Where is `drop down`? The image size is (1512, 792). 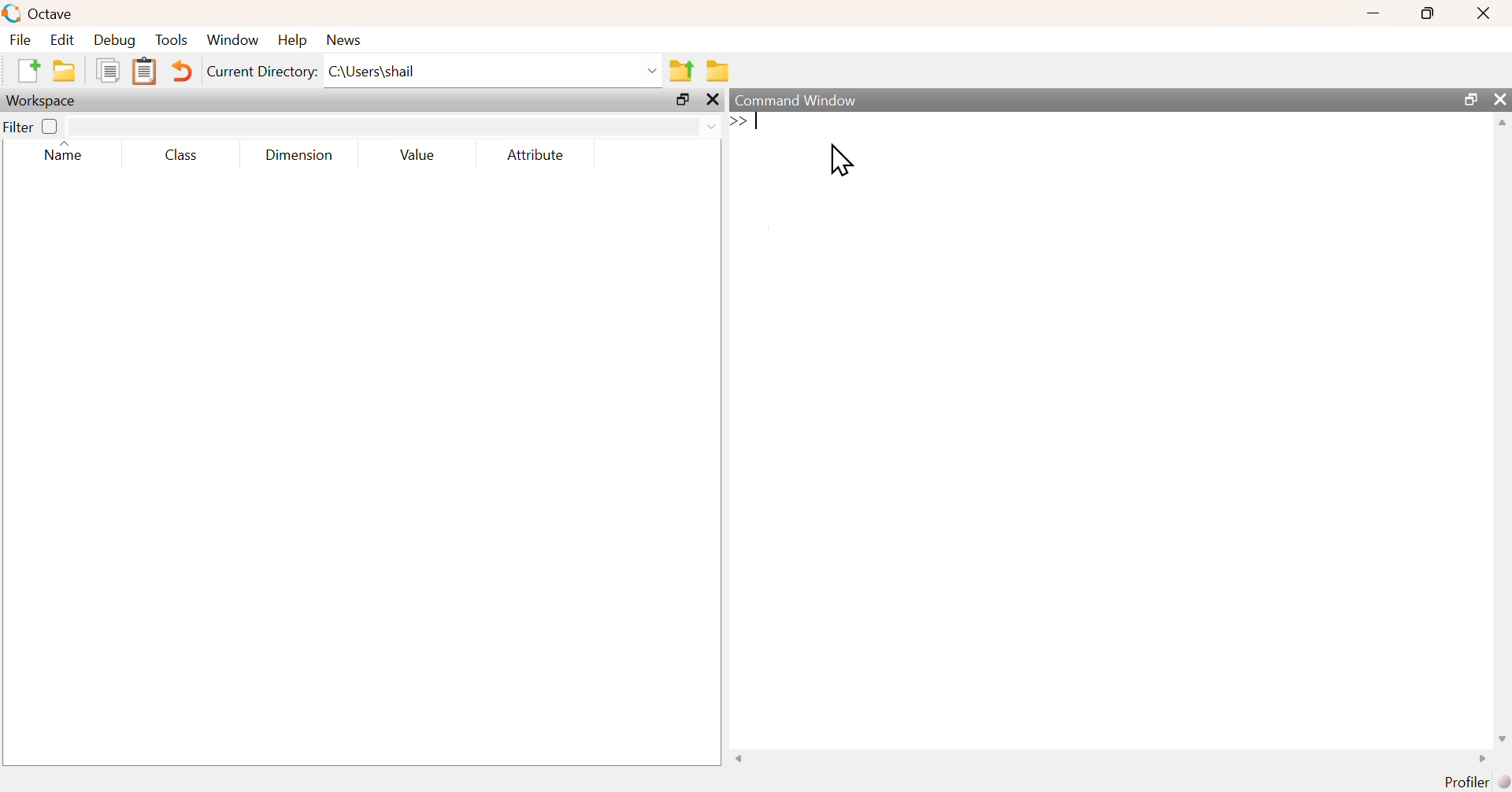
drop down is located at coordinates (710, 125).